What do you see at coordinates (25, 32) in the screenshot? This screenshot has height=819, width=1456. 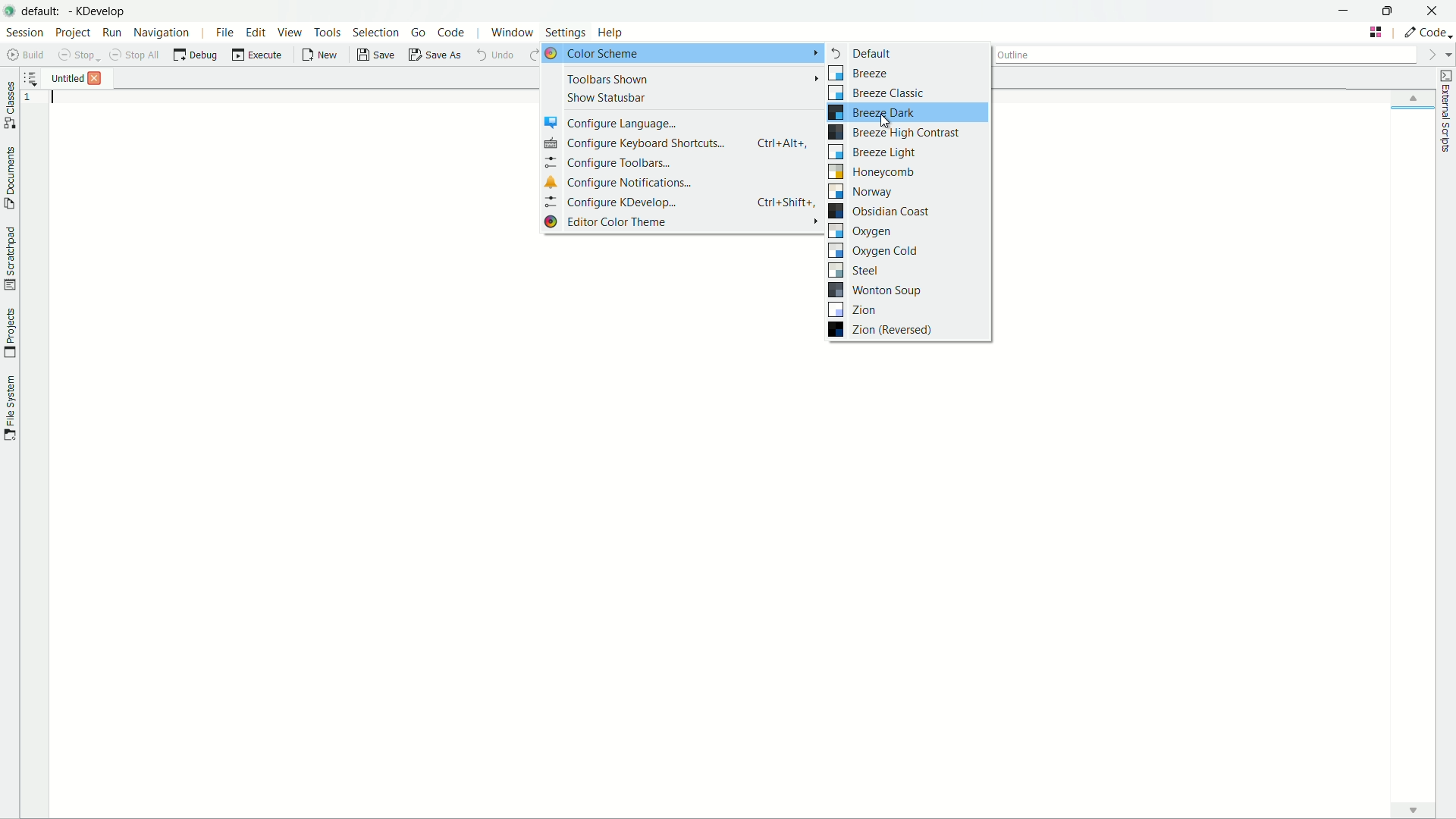 I see `session` at bounding box center [25, 32].